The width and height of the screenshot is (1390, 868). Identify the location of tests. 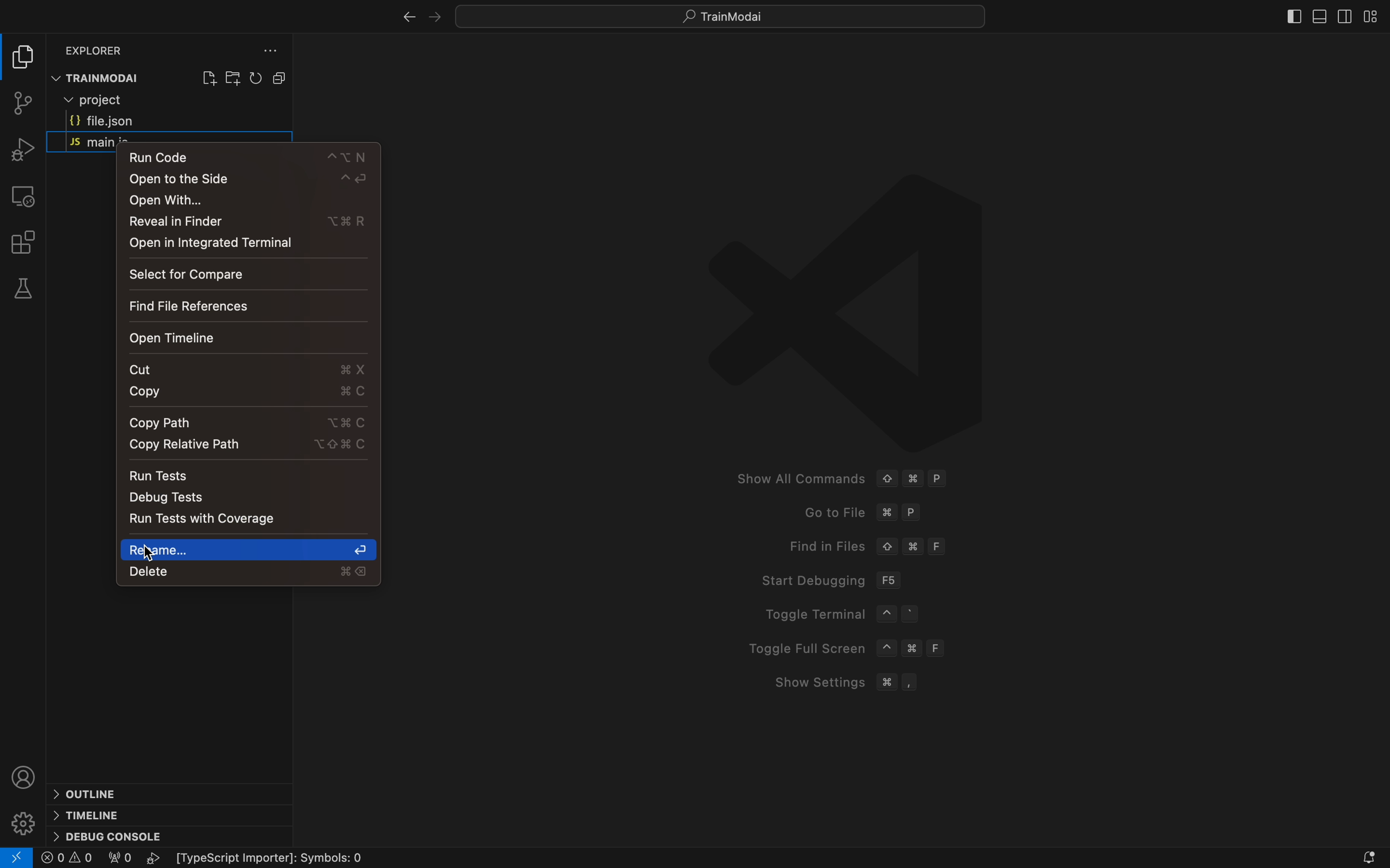
(23, 286).